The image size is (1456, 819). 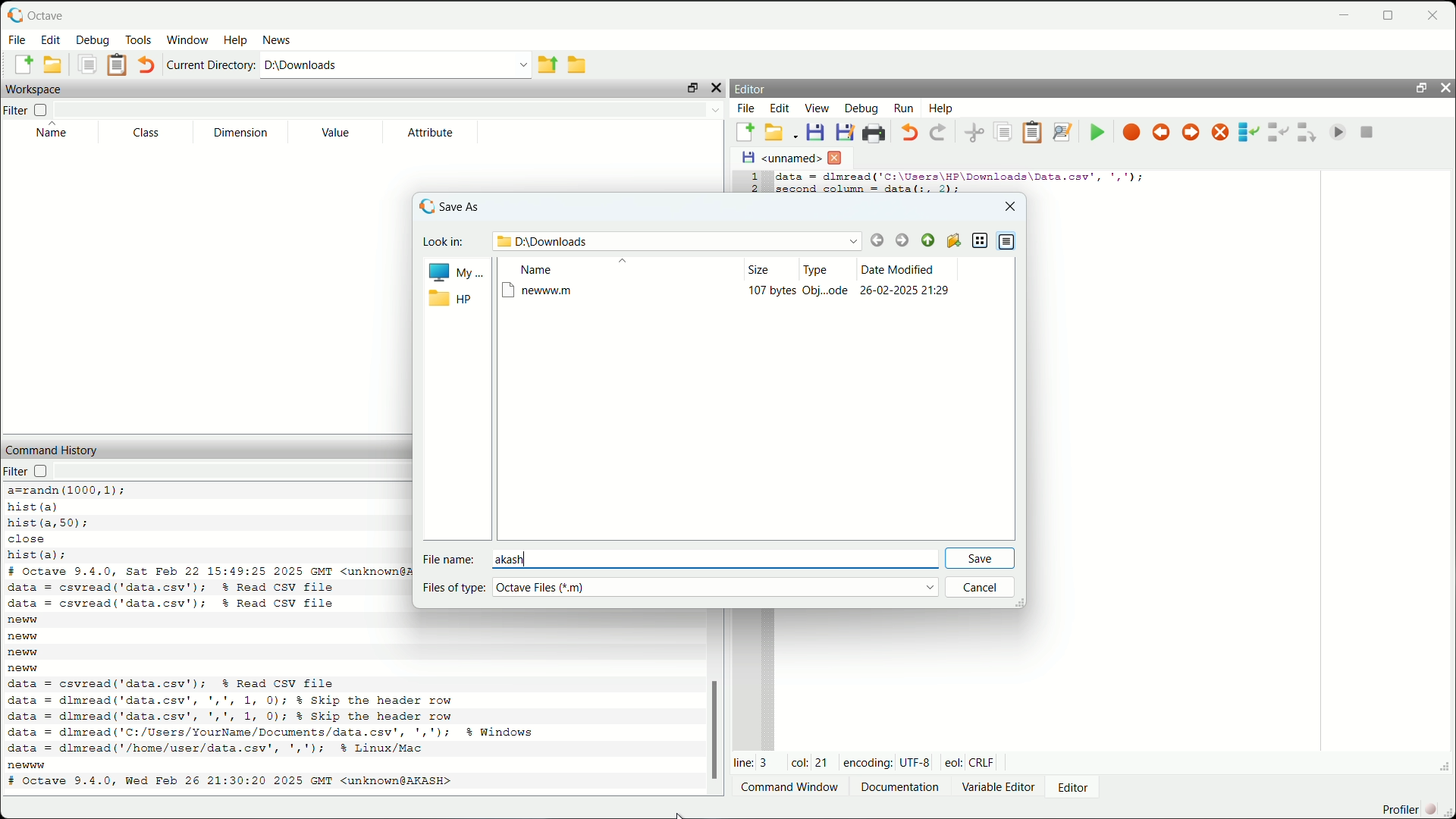 I want to click on value, so click(x=334, y=134).